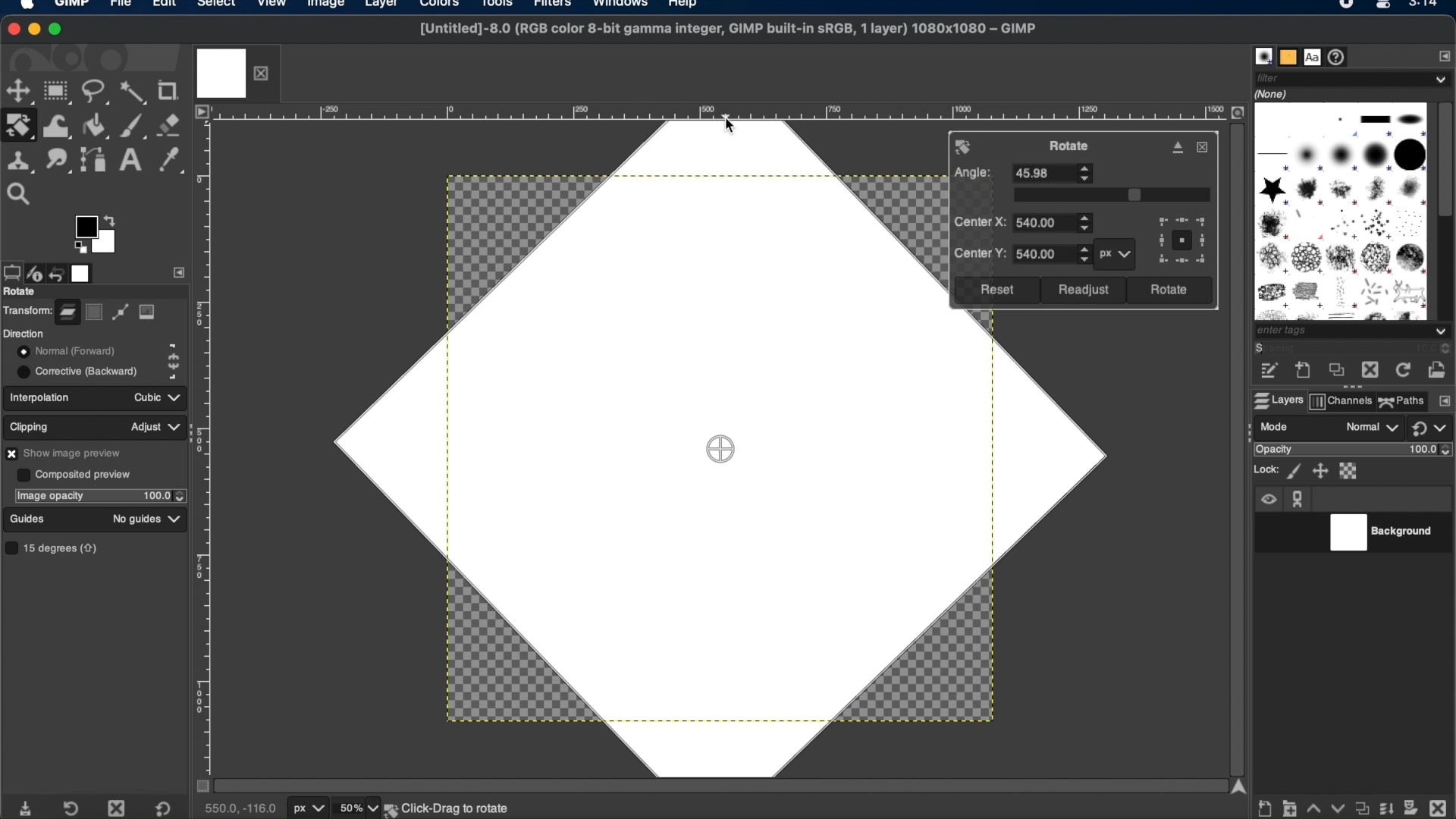  What do you see at coordinates (1432, 450) in the screenshot?
I see `opacity level stepper buttons` at bounding box center [1432, 450].